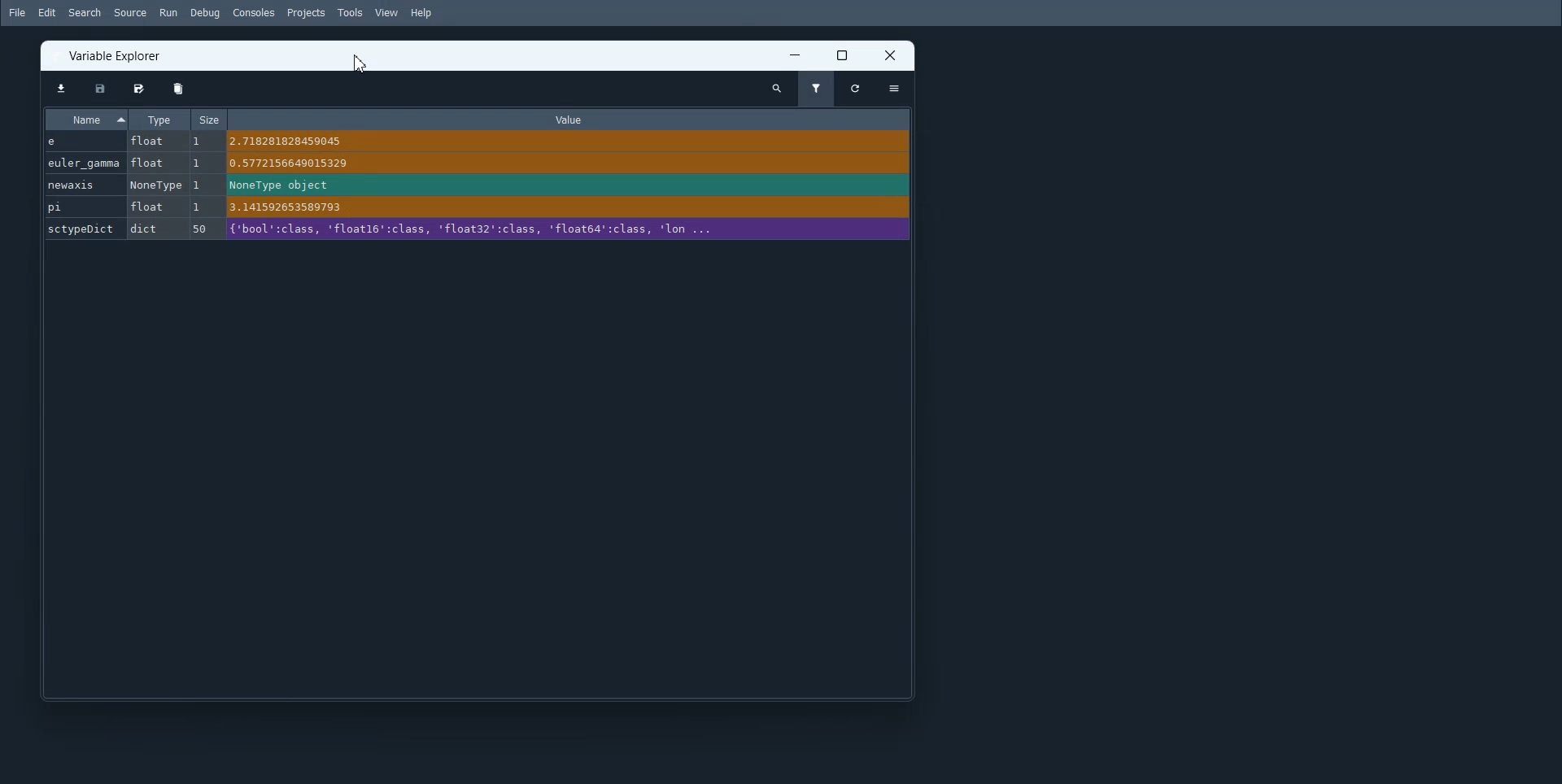 The height and width of the screenshot is (784, 1562). Describe the element at coordinates (138, 88) in the screenshot. I see `Save data as` at that location.